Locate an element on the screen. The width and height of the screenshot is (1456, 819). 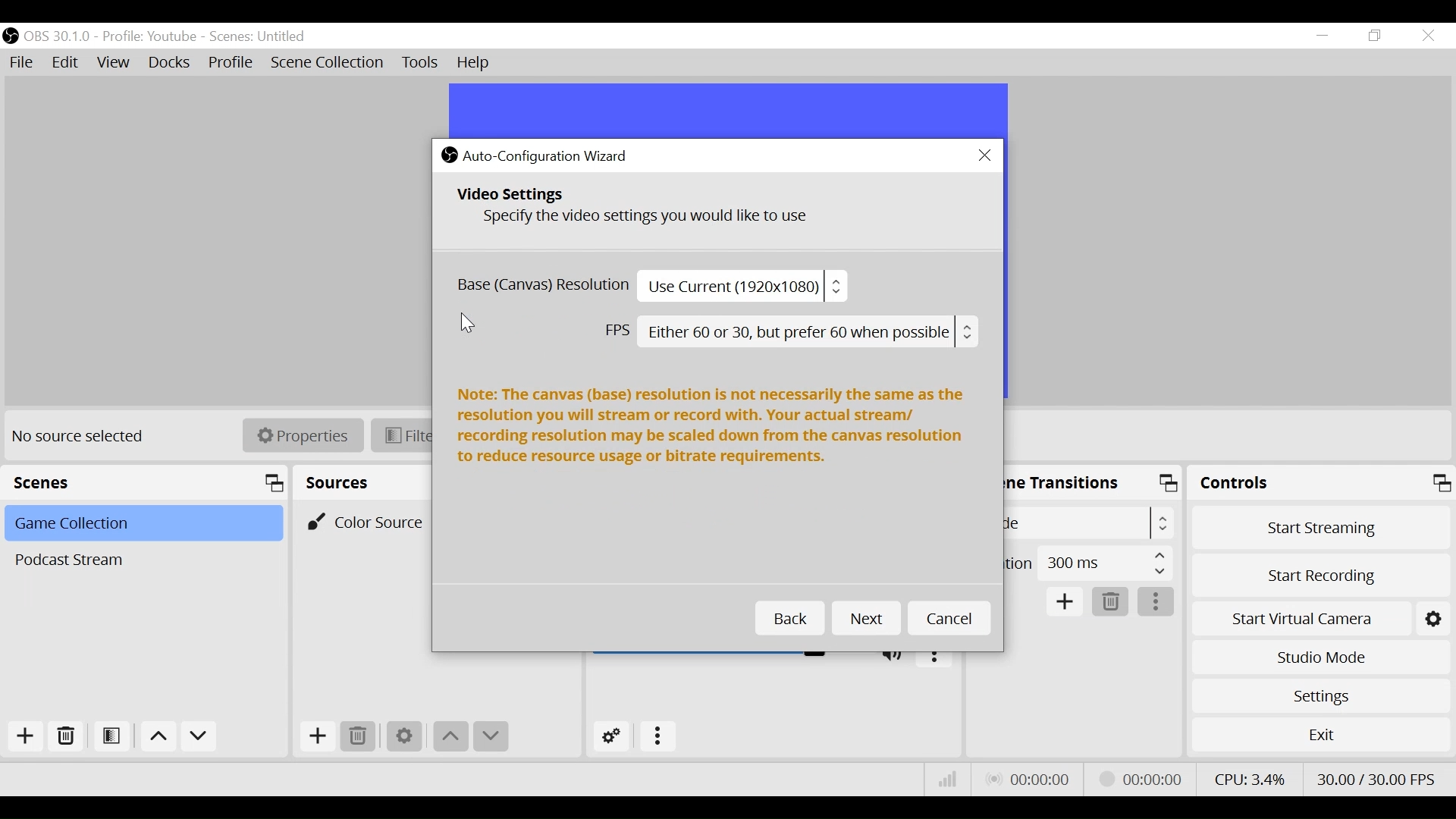
Close is located at coordinates (984, 156).